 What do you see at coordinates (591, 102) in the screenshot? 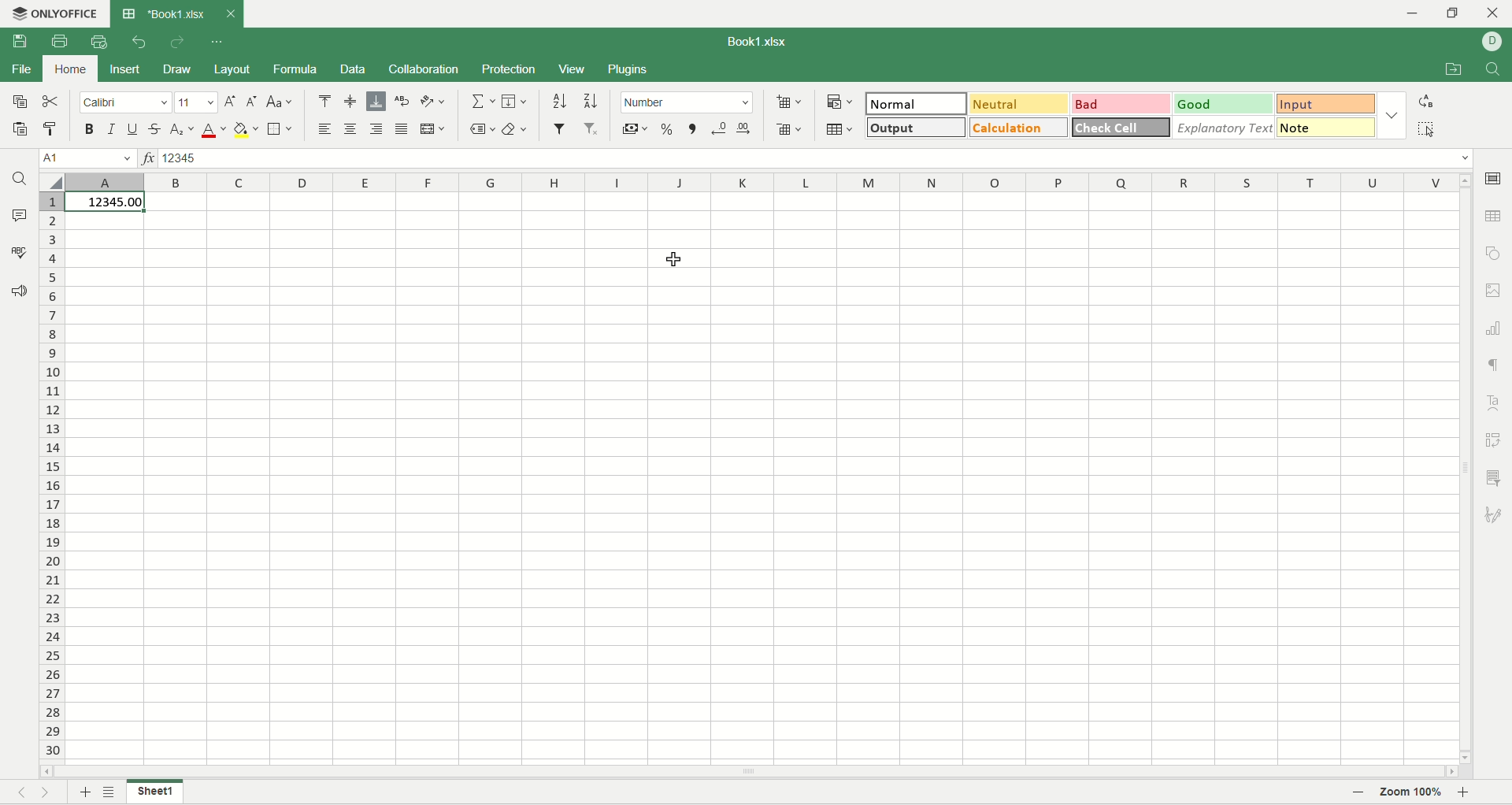
I see `sort descending` at bounding box center [591, 102].